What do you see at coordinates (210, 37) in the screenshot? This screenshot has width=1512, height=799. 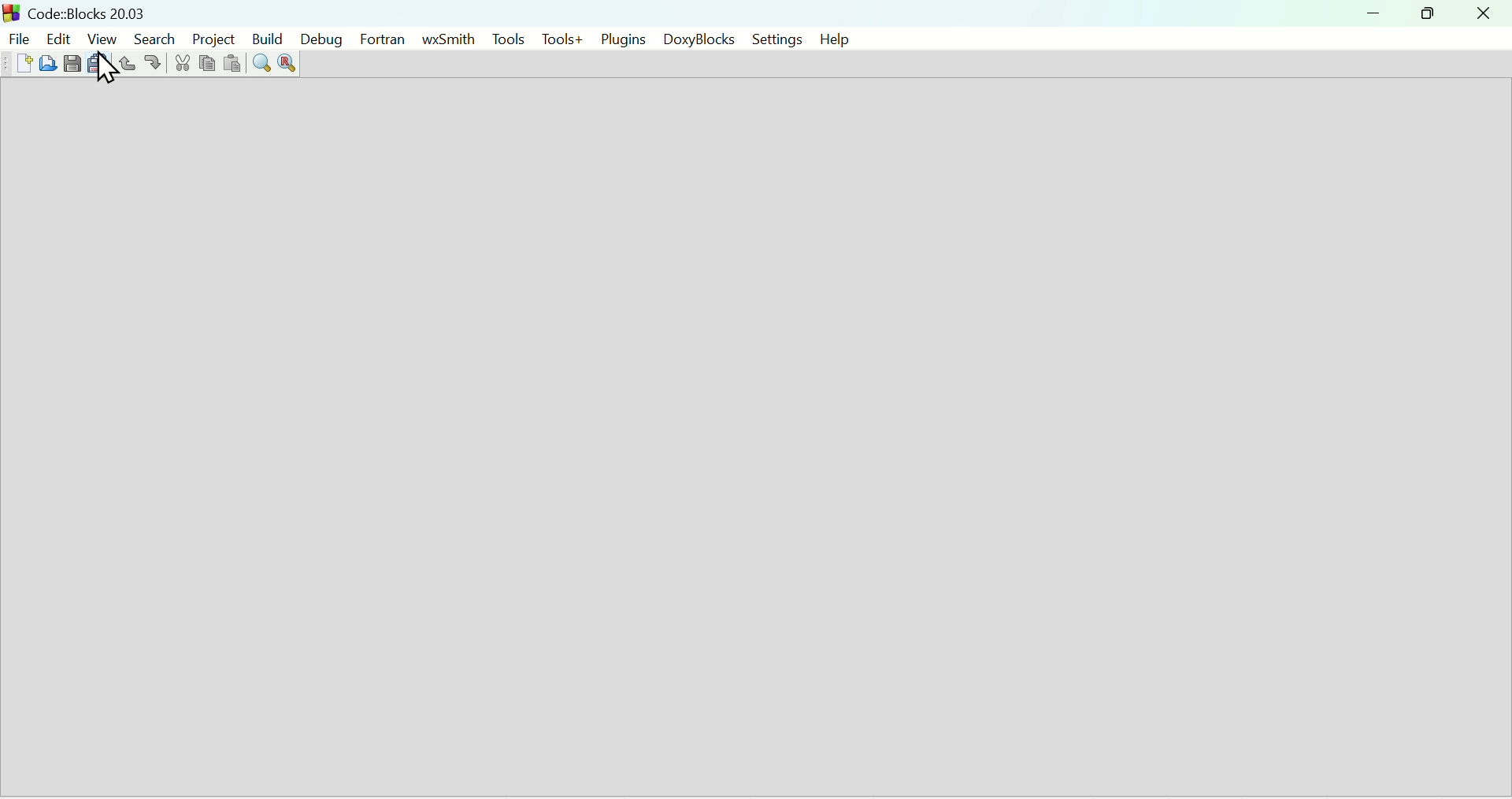 I see `Project` at bounding box center [210, 37].